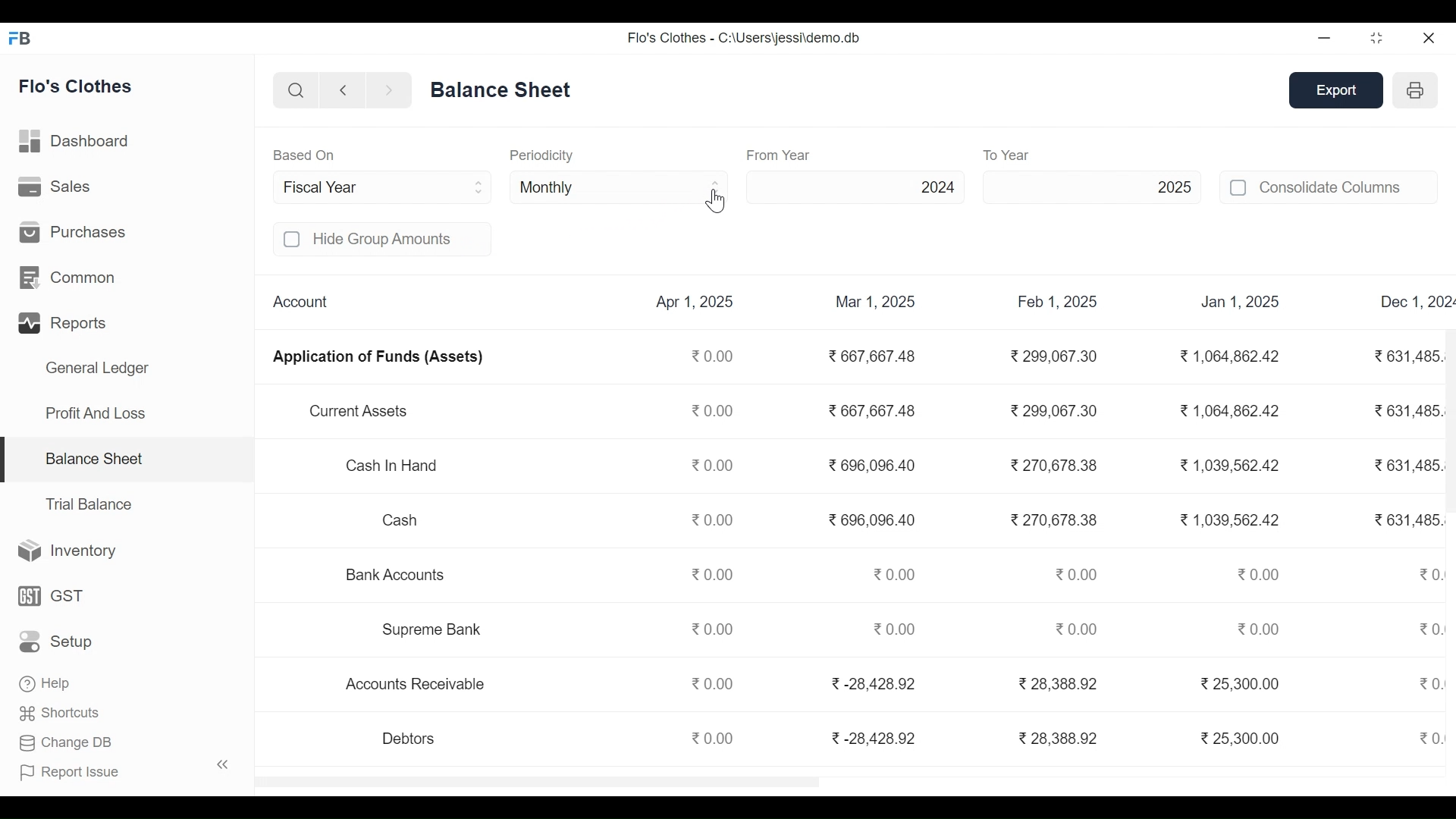 The image size is (1456, 819). I want to click on checkbox, so click(1239, 187).